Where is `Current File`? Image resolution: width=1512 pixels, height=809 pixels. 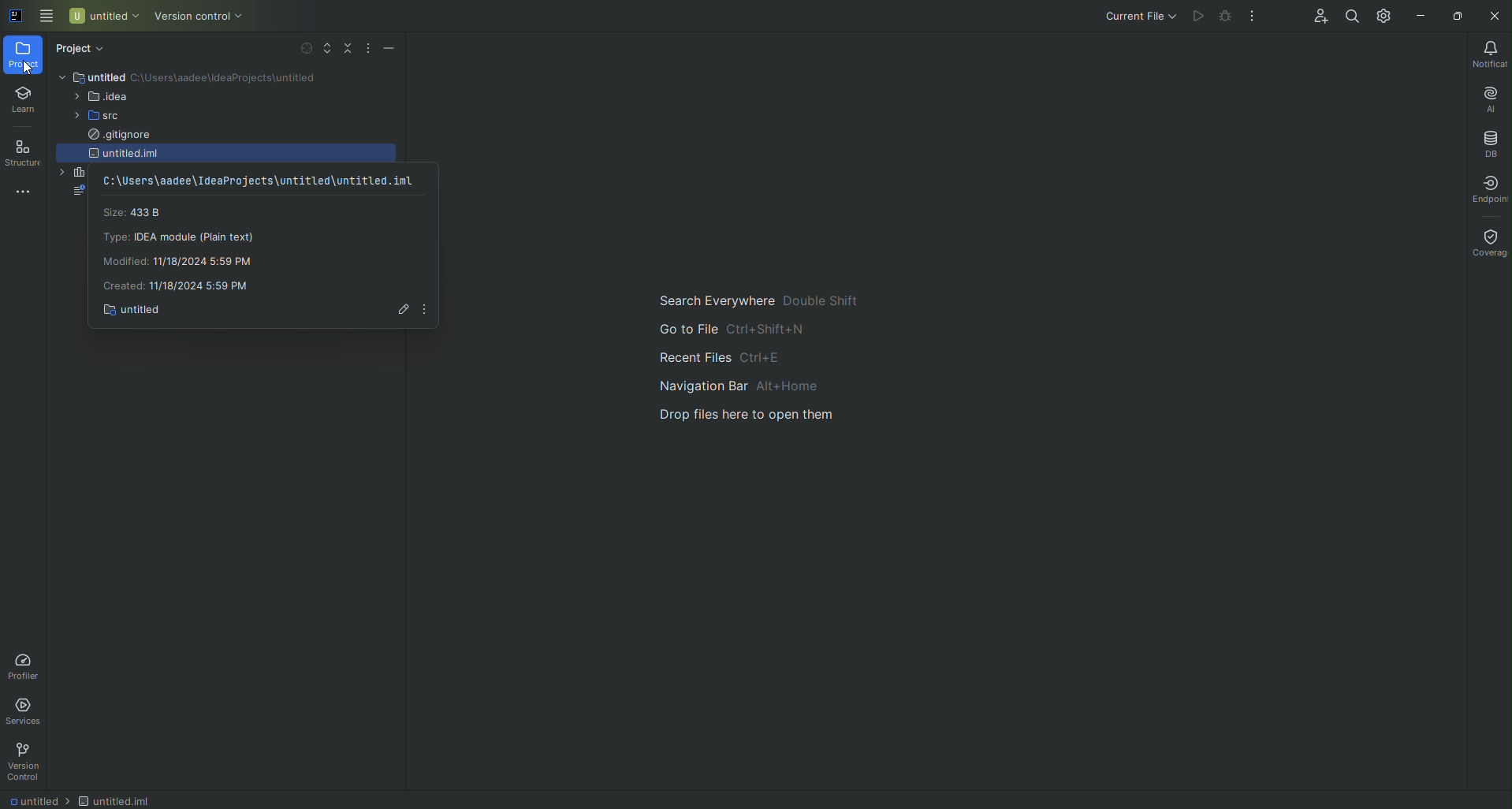 Current File is located at coordinates (1134, 17).